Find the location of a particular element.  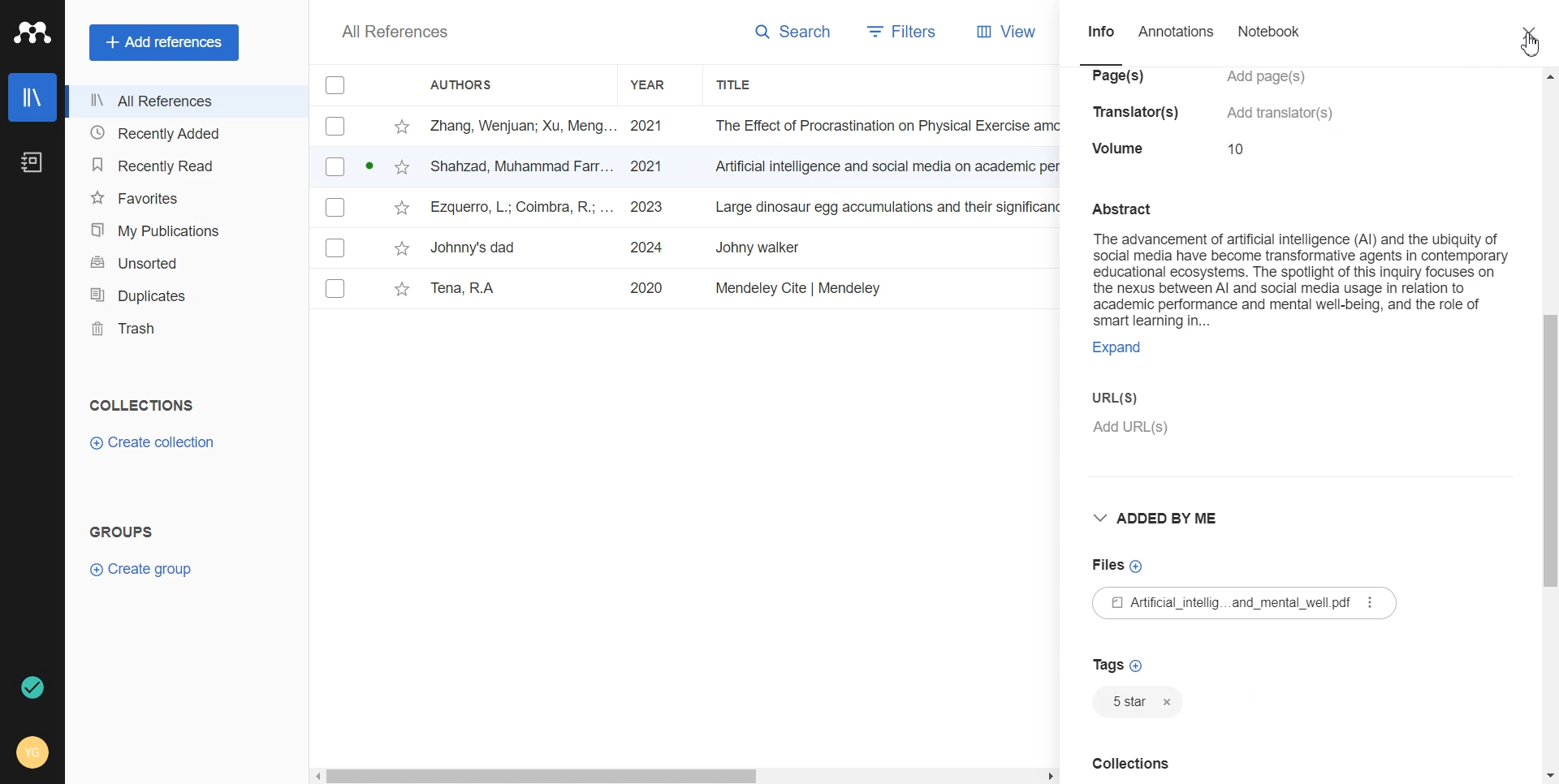

Info is located at coordinates (1101, 41).